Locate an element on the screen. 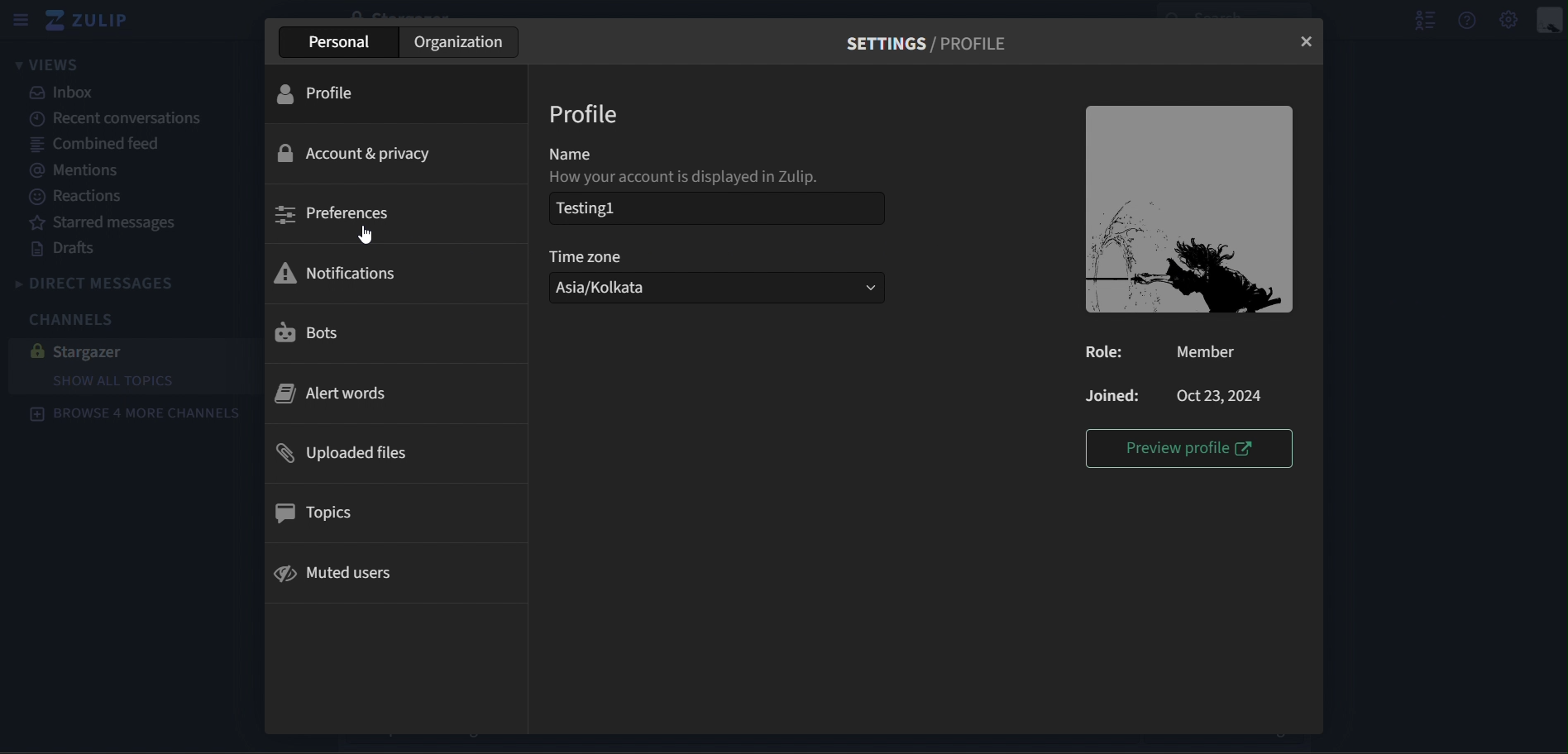  preview profile is located at coordinates (1191, 447).